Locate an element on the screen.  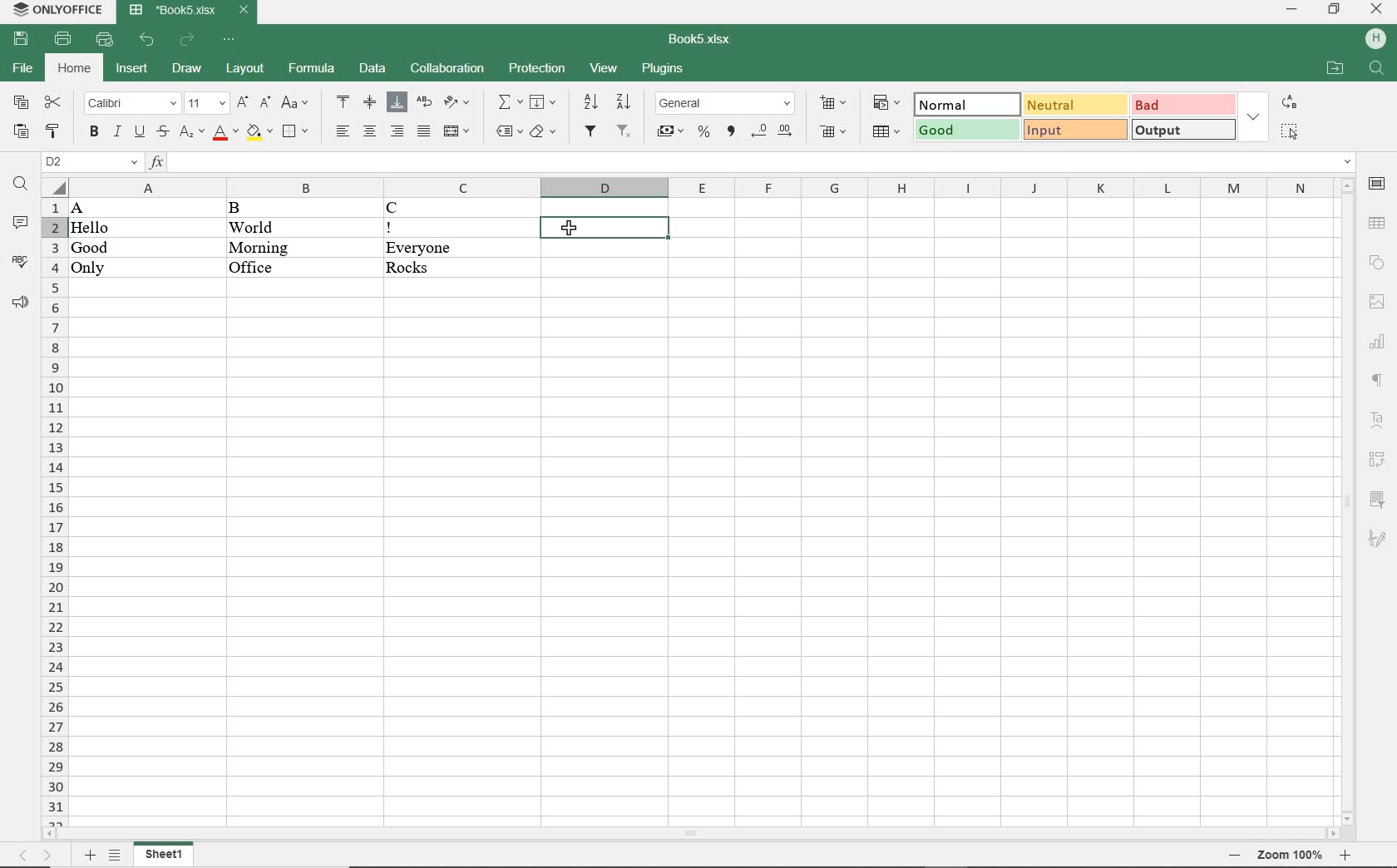
DRAW is located at coordinates (188, 69).